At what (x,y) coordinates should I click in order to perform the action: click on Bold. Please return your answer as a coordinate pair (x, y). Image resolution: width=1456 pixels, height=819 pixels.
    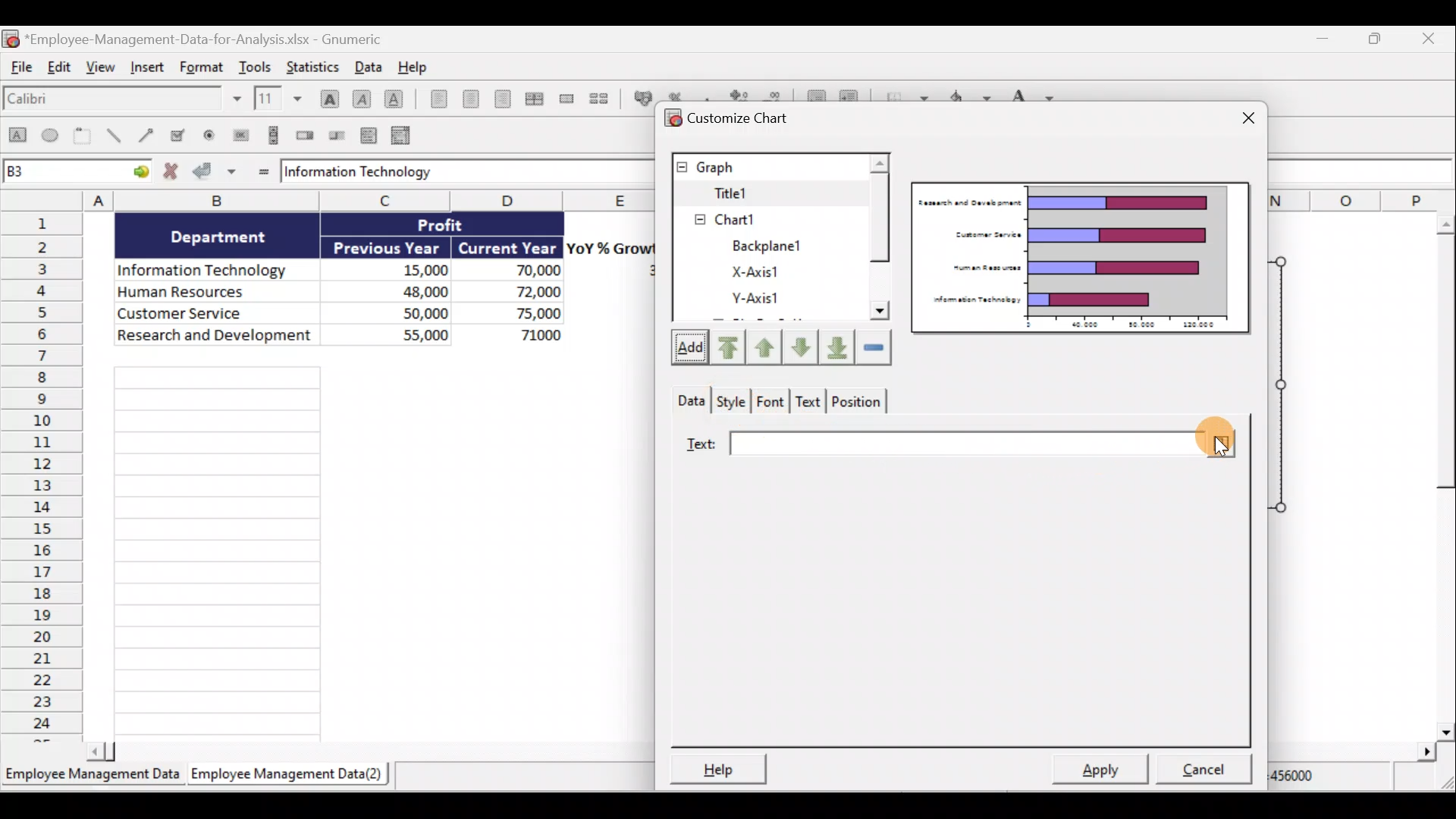
    Looking at the image, I should click on (327, 93).